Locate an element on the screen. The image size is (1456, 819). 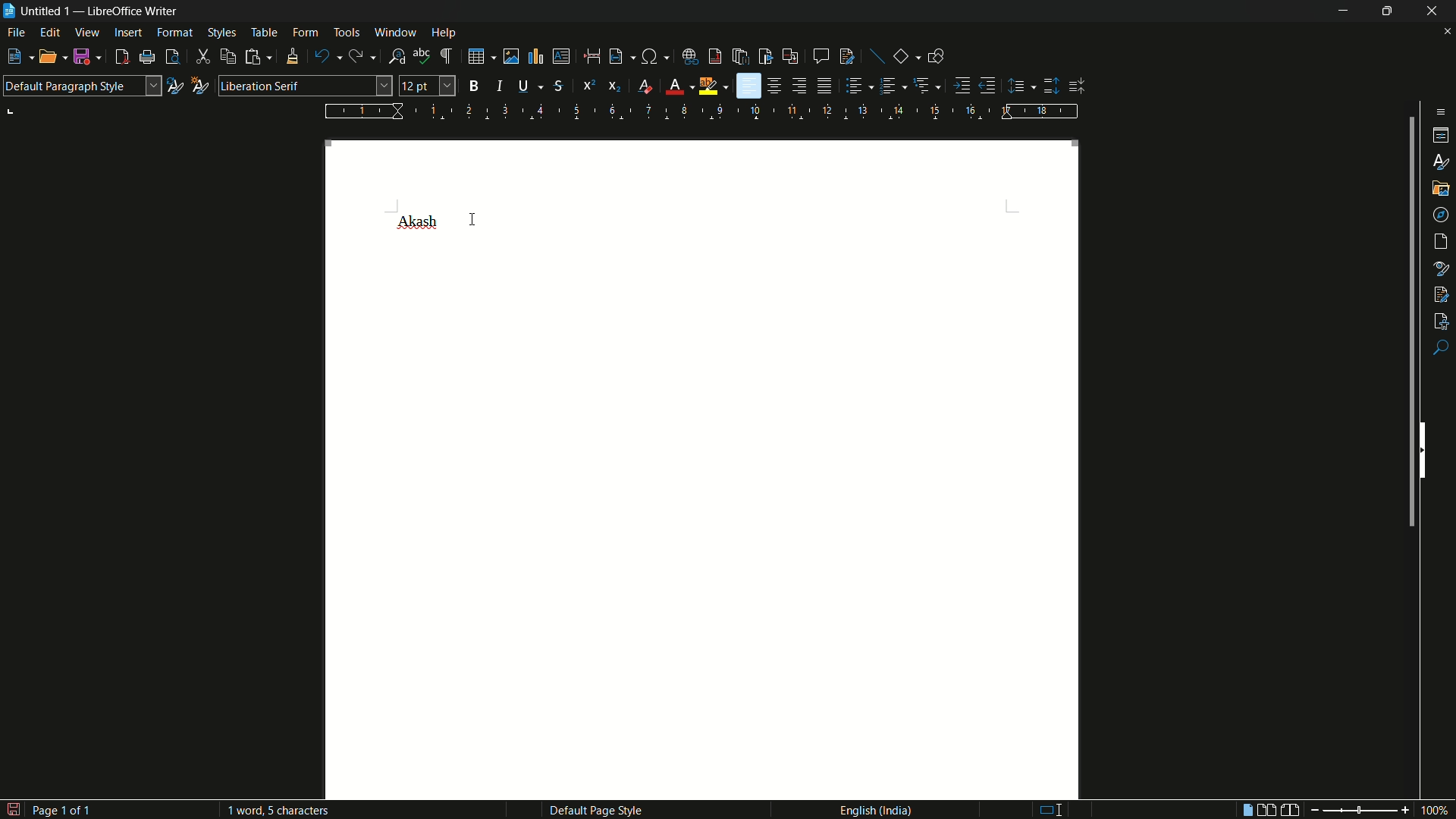
decrease indentation is located at coordinates (988, 85).